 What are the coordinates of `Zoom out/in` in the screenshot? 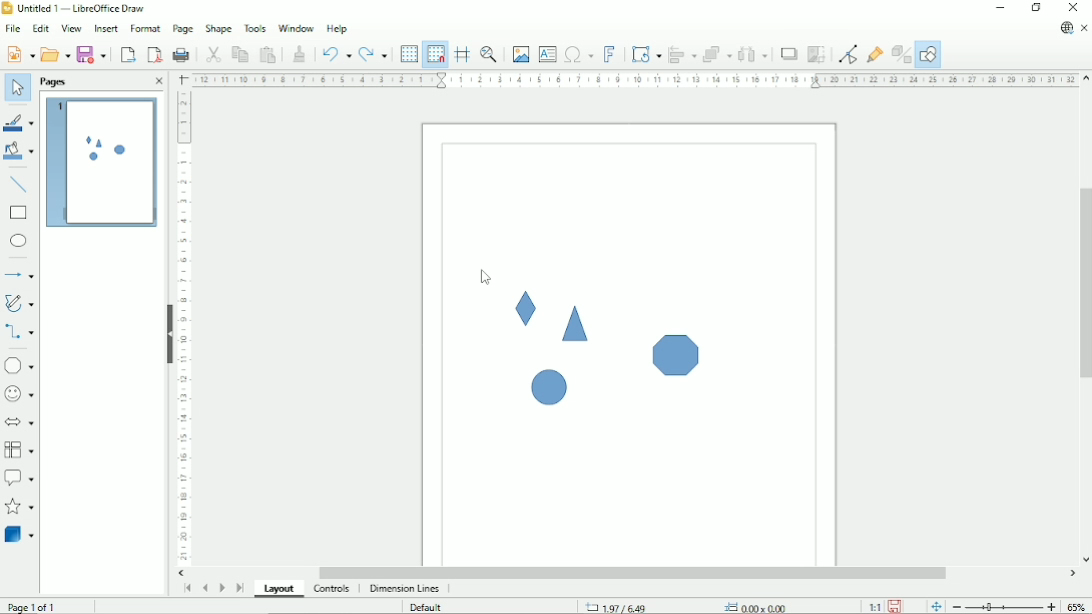 It's located at (1003, 607).